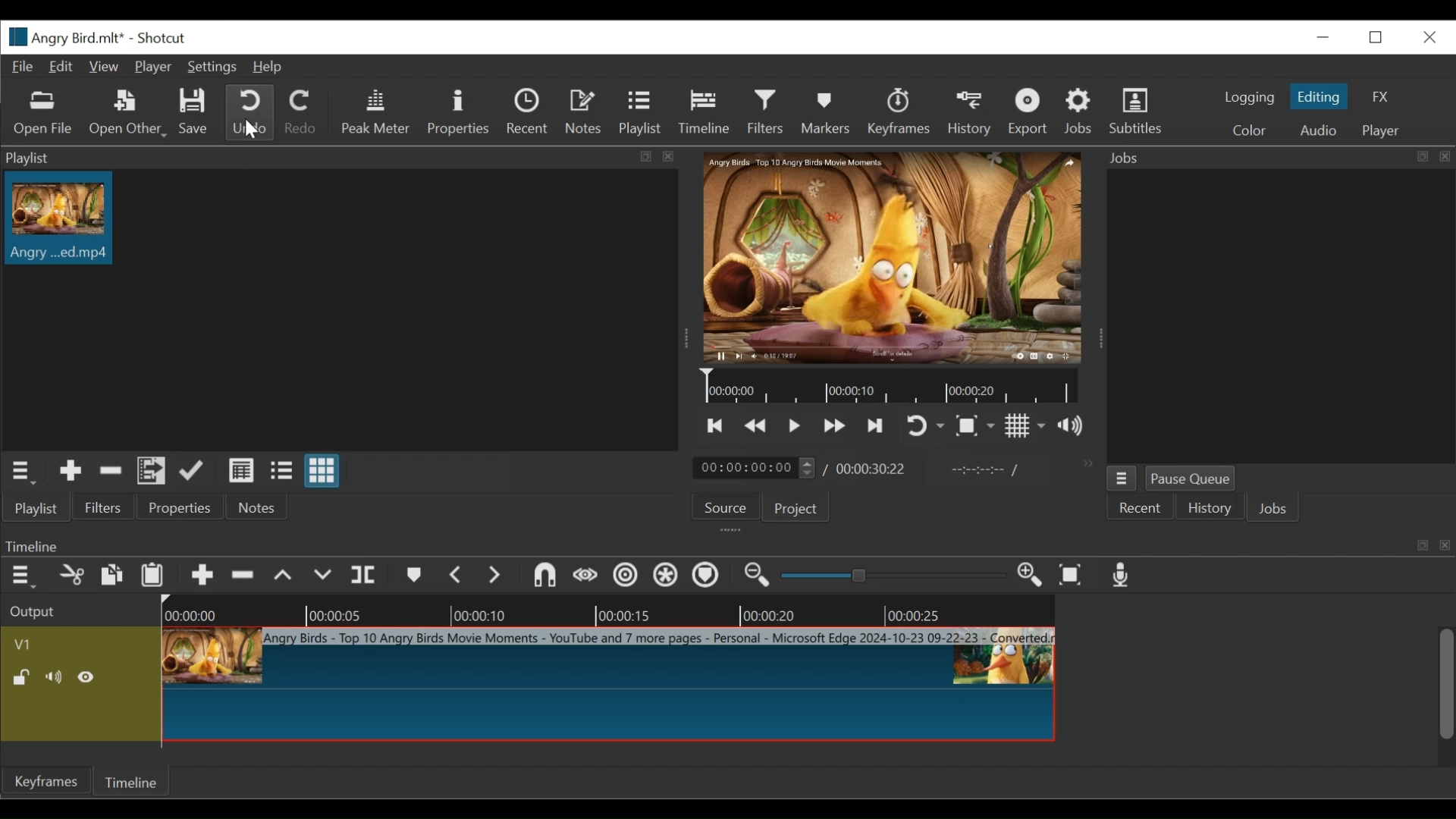 The width and height of the screenshot is (1456, 819). Describe the element at coordinates (1207, 508) in the screenshot. I see `History` at that location.